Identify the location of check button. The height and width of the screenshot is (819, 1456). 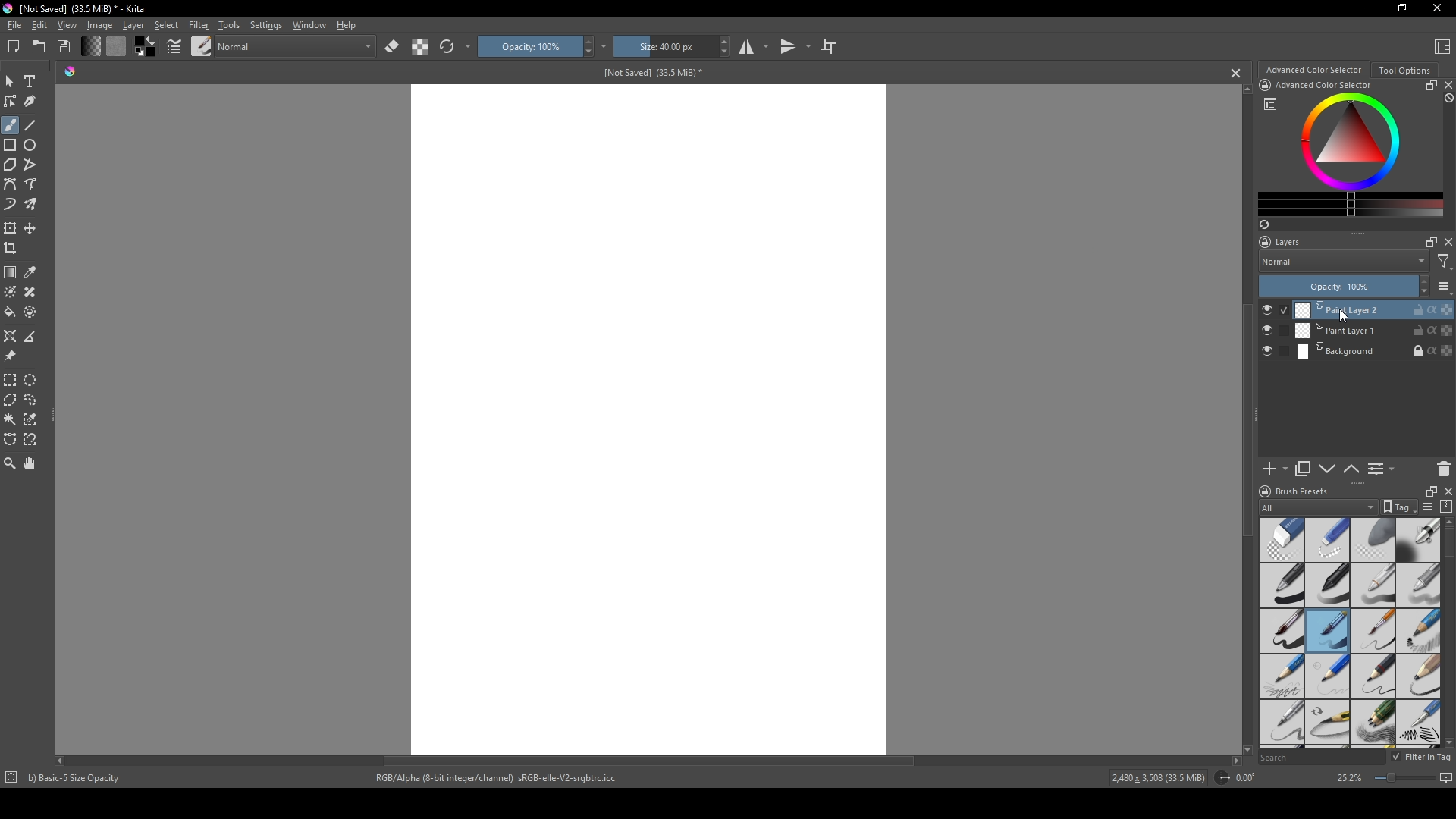
(1275, 331).